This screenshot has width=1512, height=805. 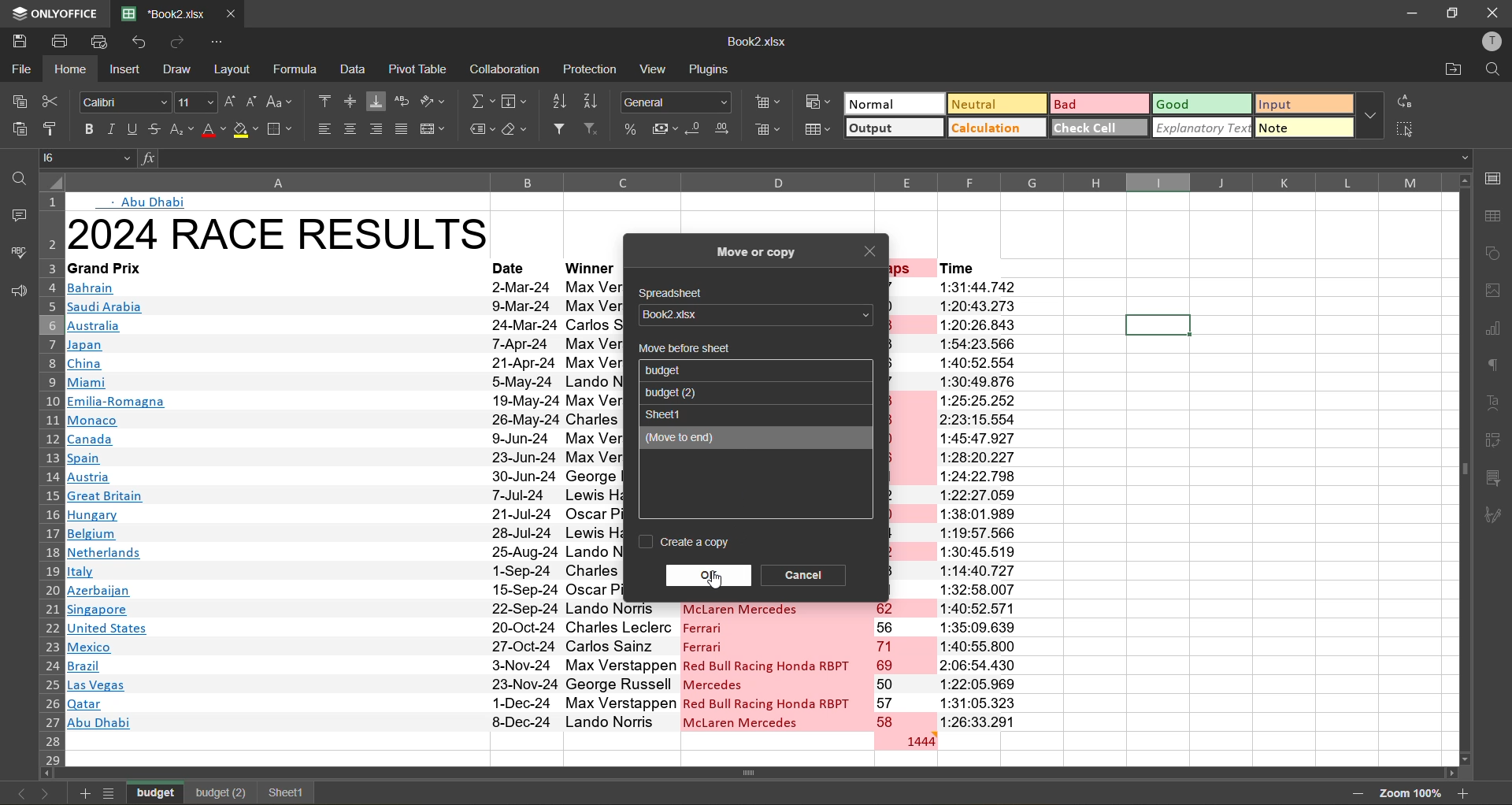 What do you see at coordinates (903, 666) in the screenshot?
I see `laps` at bounding box center [903, 666].